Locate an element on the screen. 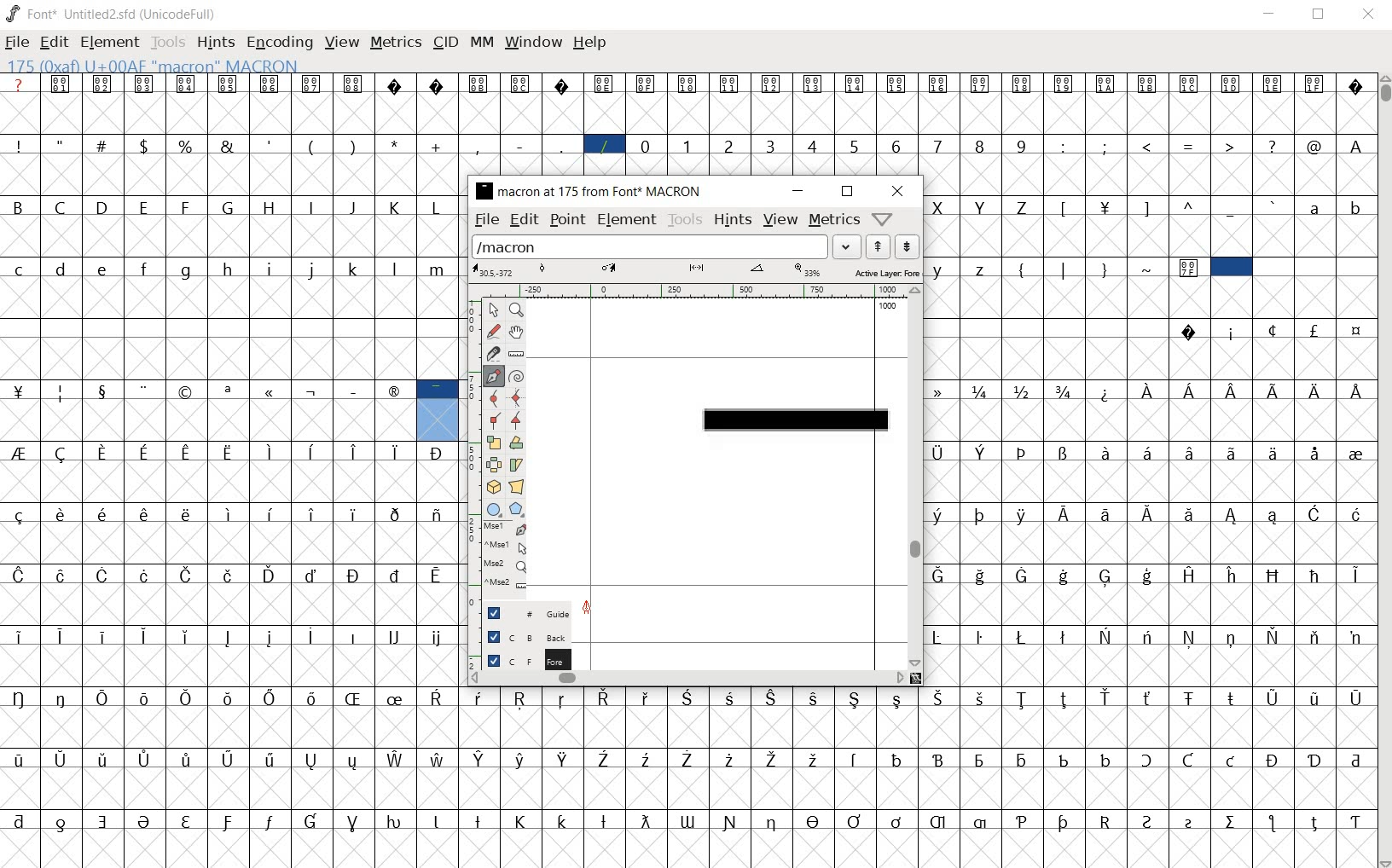 The width and height of the screenshot is (1392, 868). Symbol is located at coordinates (647, 760).